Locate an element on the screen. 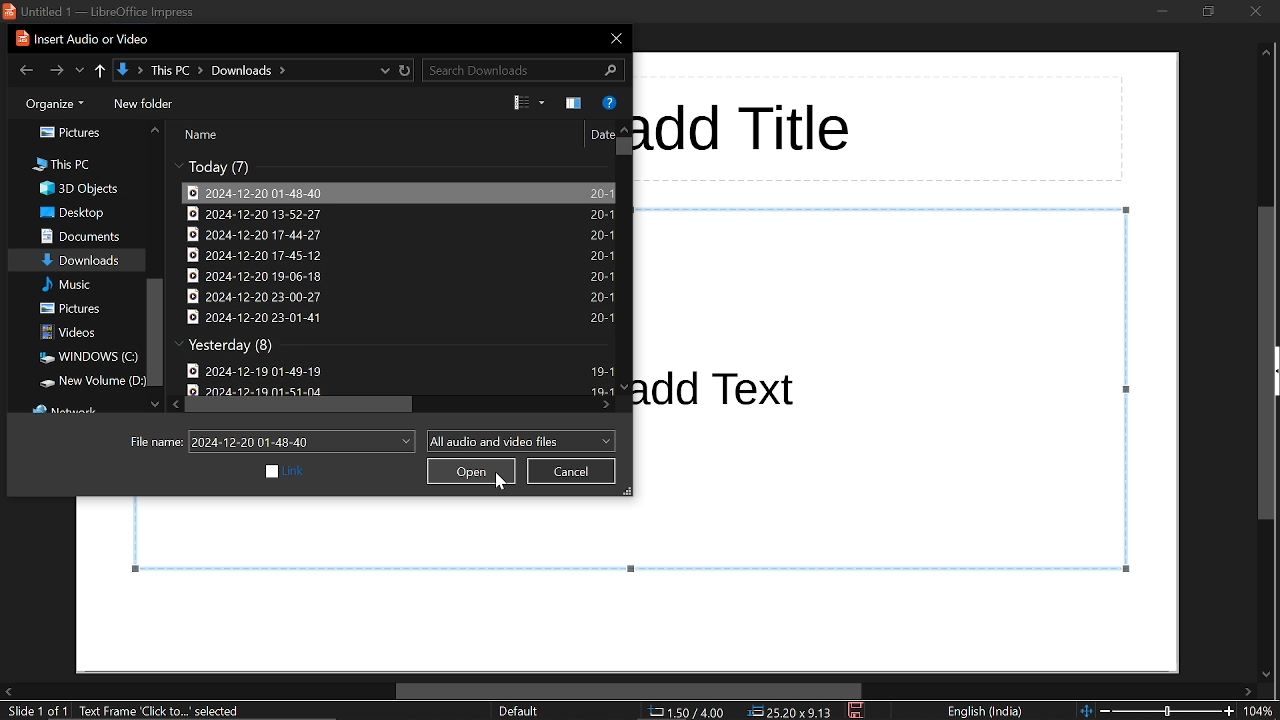 This screenshot has width=1280, height=720. file name is located at coordinates (302, 442).